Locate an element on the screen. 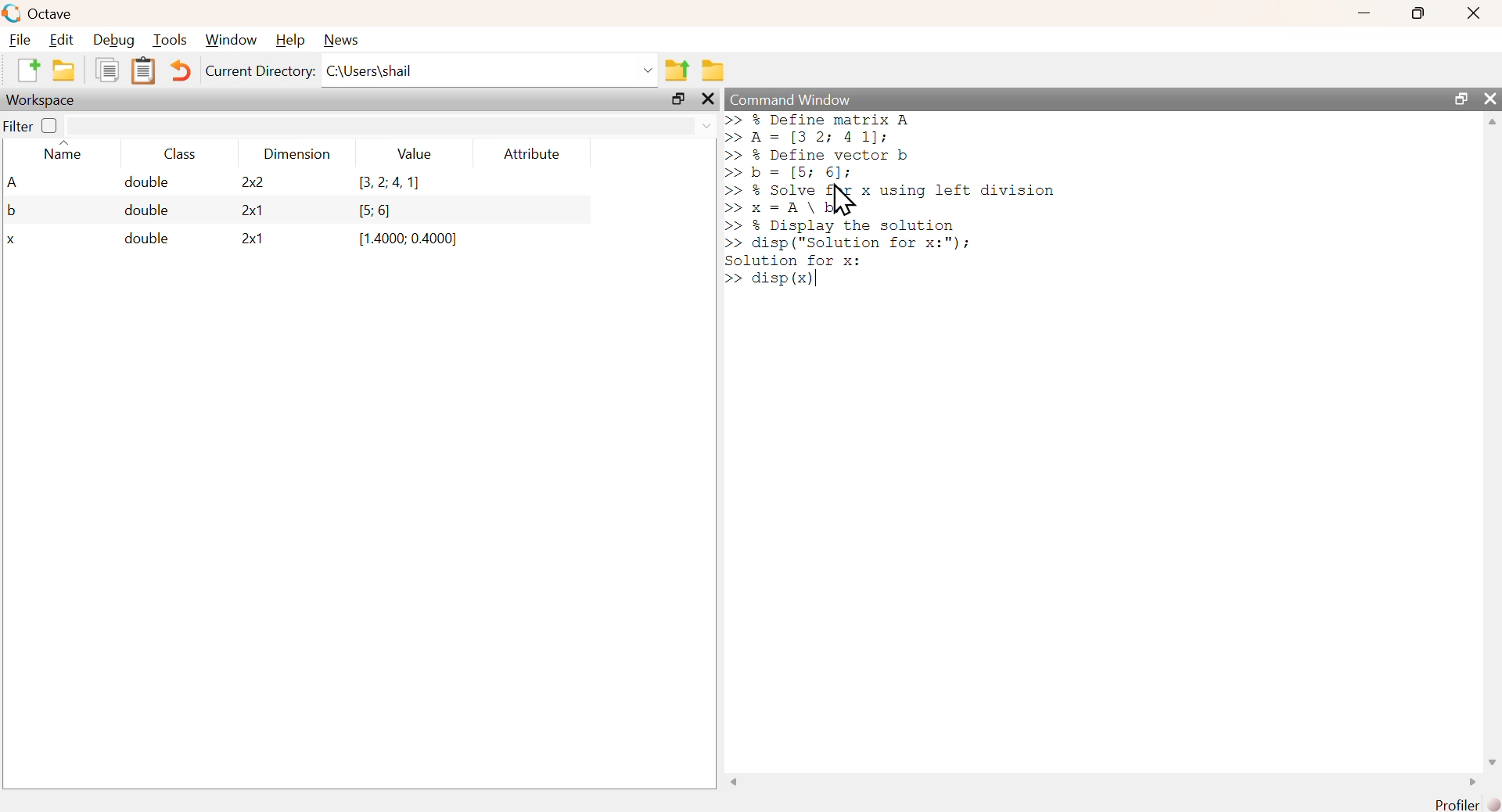  b is located at coordinates (13, 211).